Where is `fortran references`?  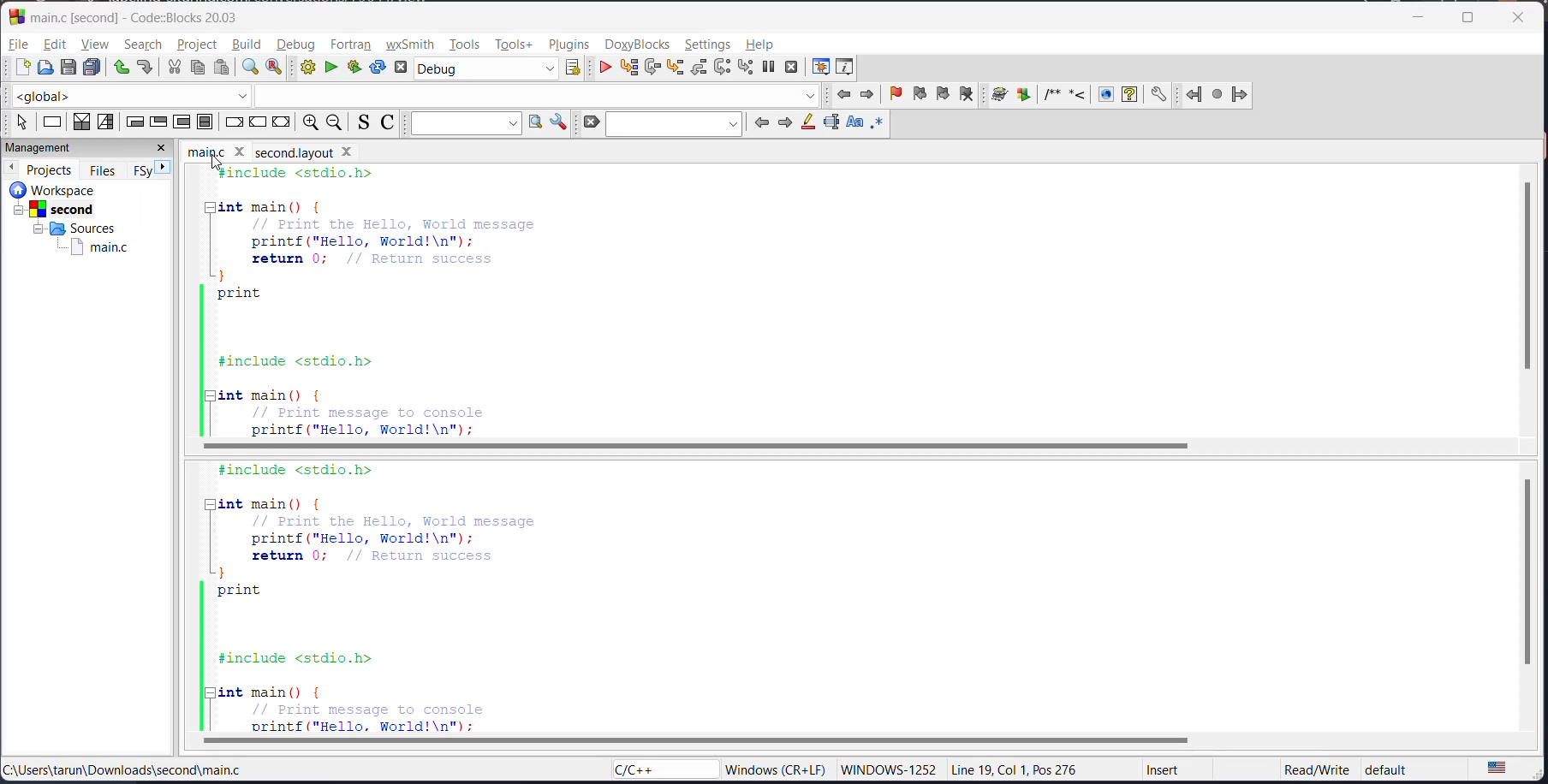 fortran references is located at coordinates (1218, 96).